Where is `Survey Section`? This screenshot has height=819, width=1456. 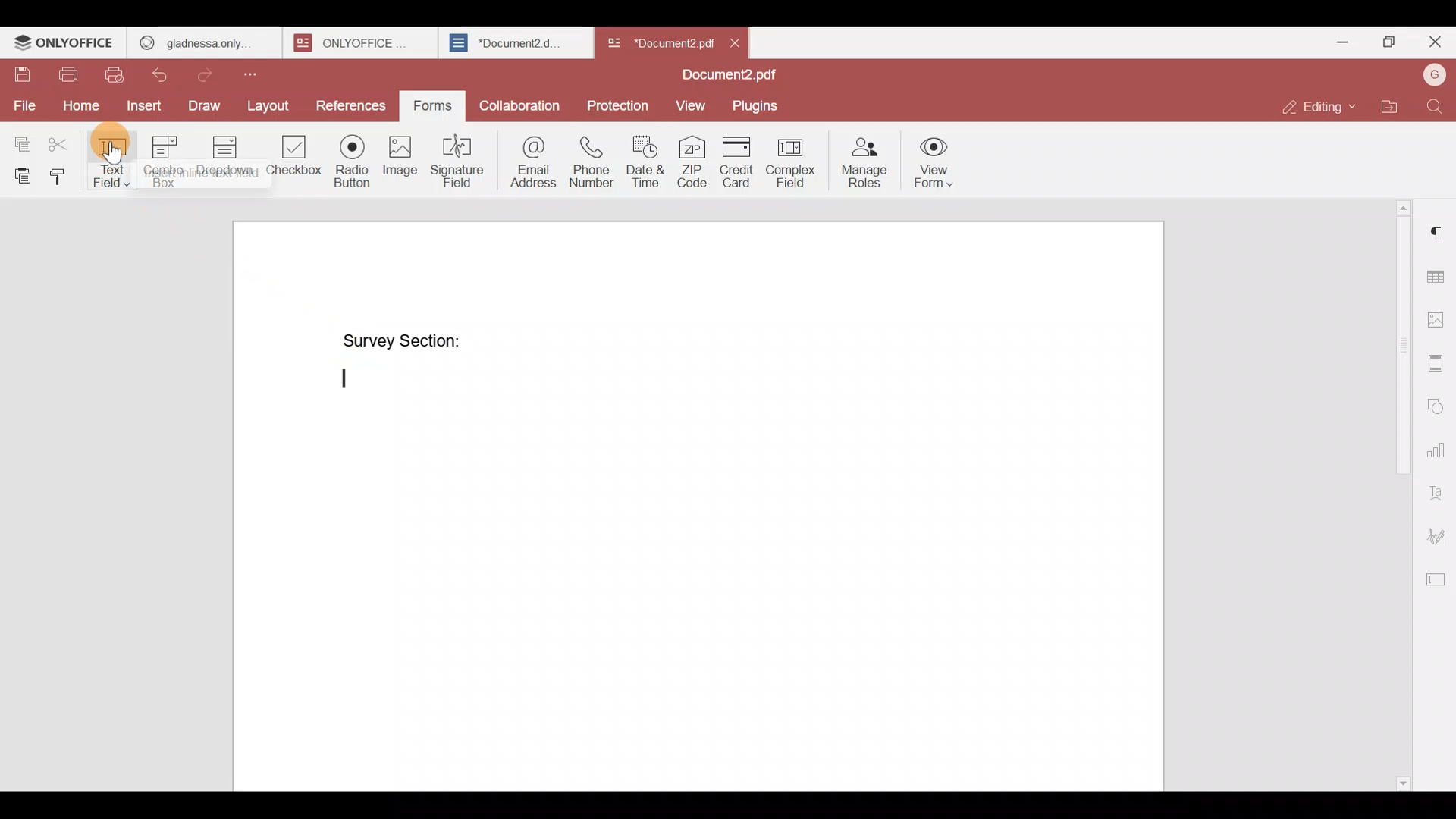 Survey Section is located at coordinates (402, 341).